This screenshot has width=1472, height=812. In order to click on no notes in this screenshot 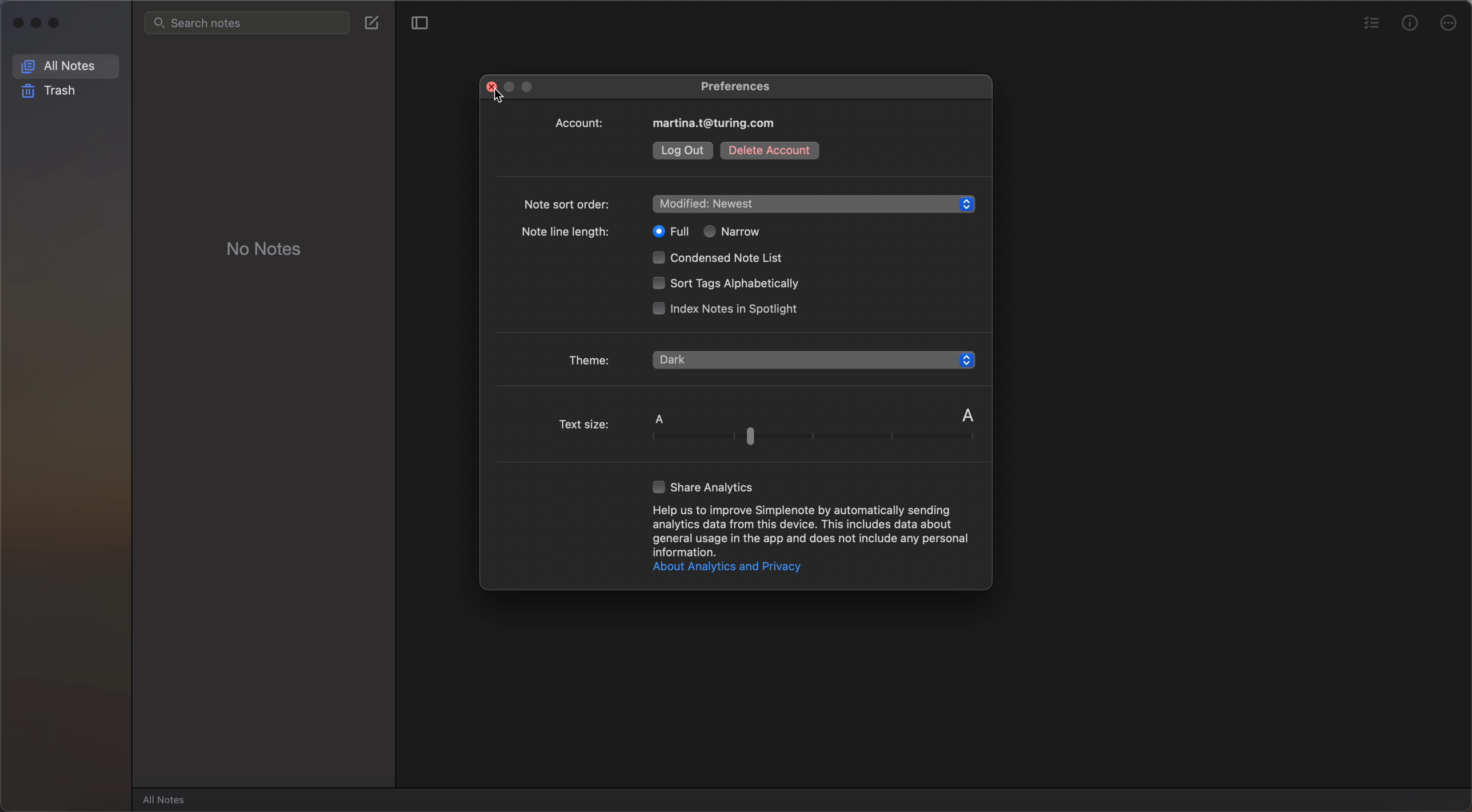, I will do `click(265, 247)`.